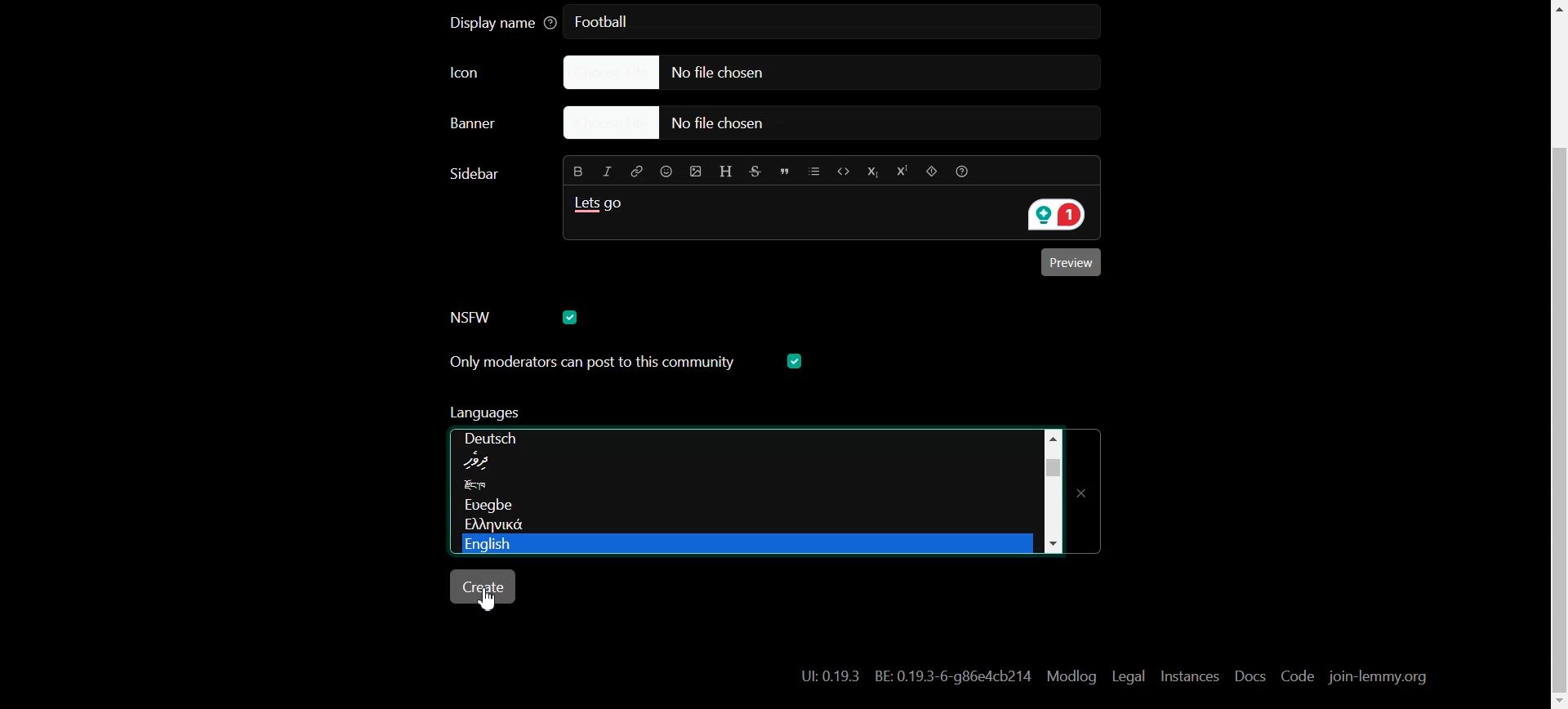  What do you see at coordinates (815, 170) in the screenshot?
I see `List` at bounding box center [815, 170].